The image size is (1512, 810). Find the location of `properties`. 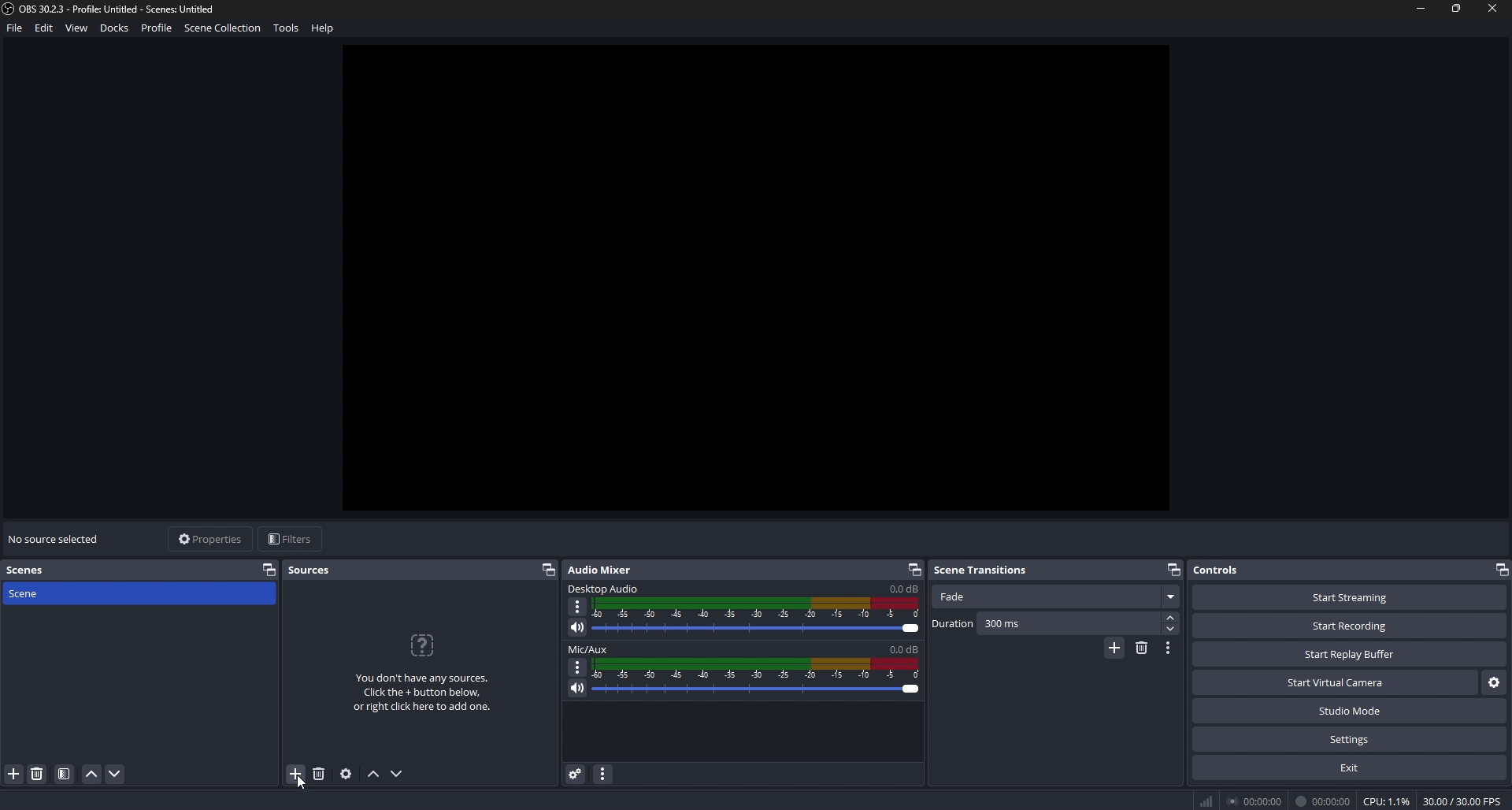

properties is located at coordinates (212, 539).